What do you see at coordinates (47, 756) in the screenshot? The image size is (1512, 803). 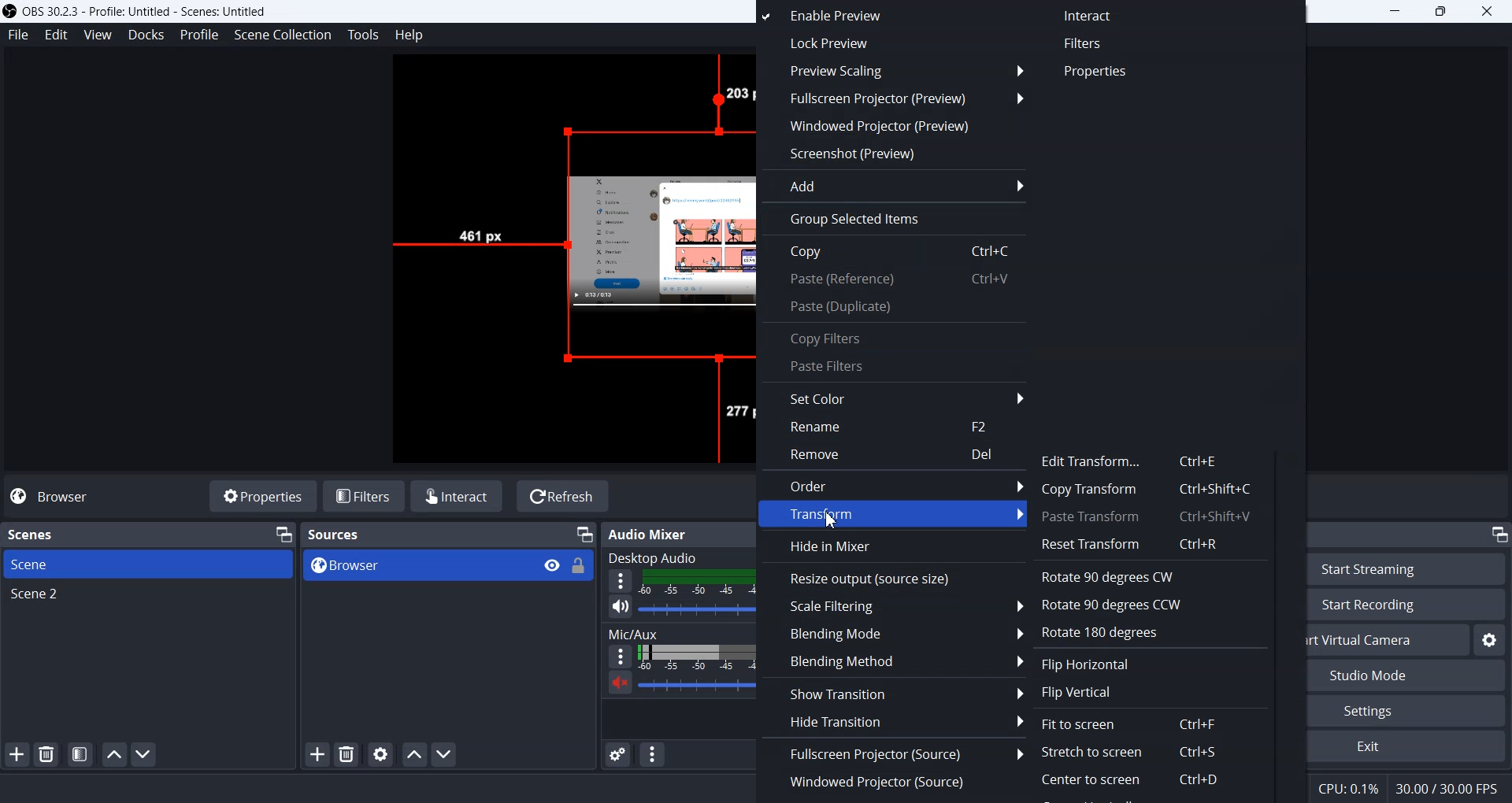 I see `Remove selected scene` at bounding box center [47, 756].